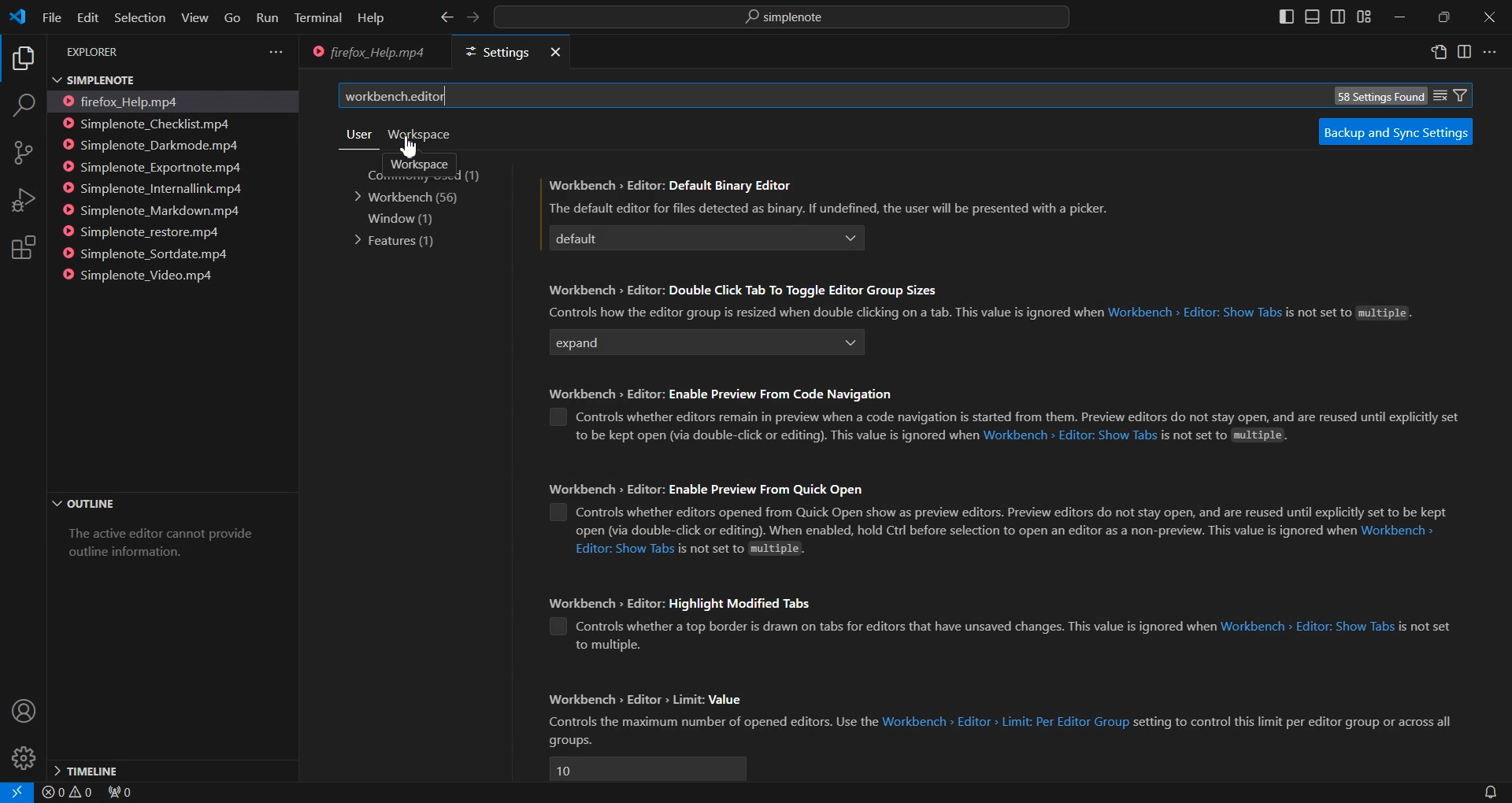  I want to click on to be kept open (via double-click or editing). This value is ignored when, so click(773, 436).